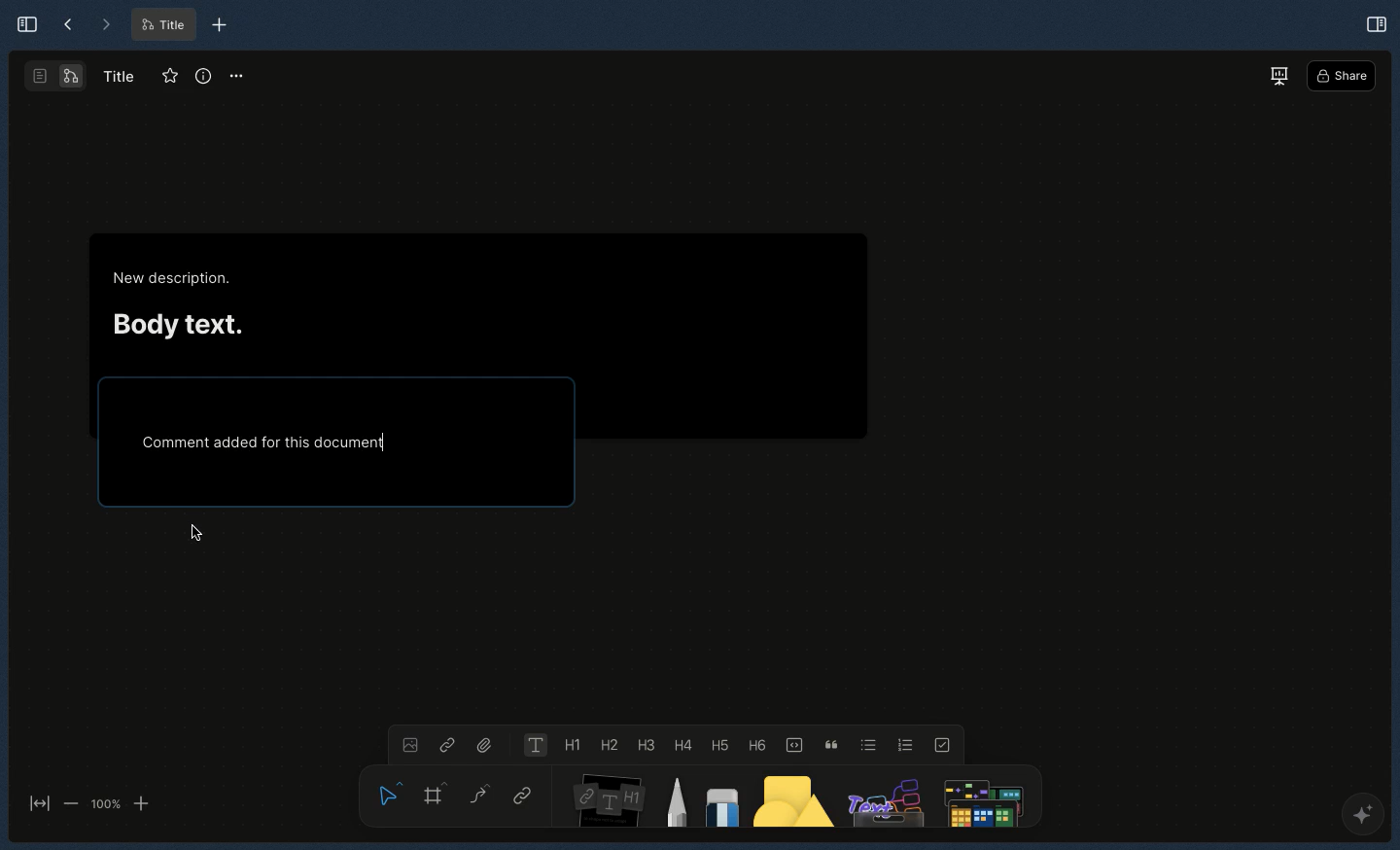 The image size is (1400, 850). Describe the element at coordinates (647, 744) in the screenshot. I see `Heading 3` at that location.